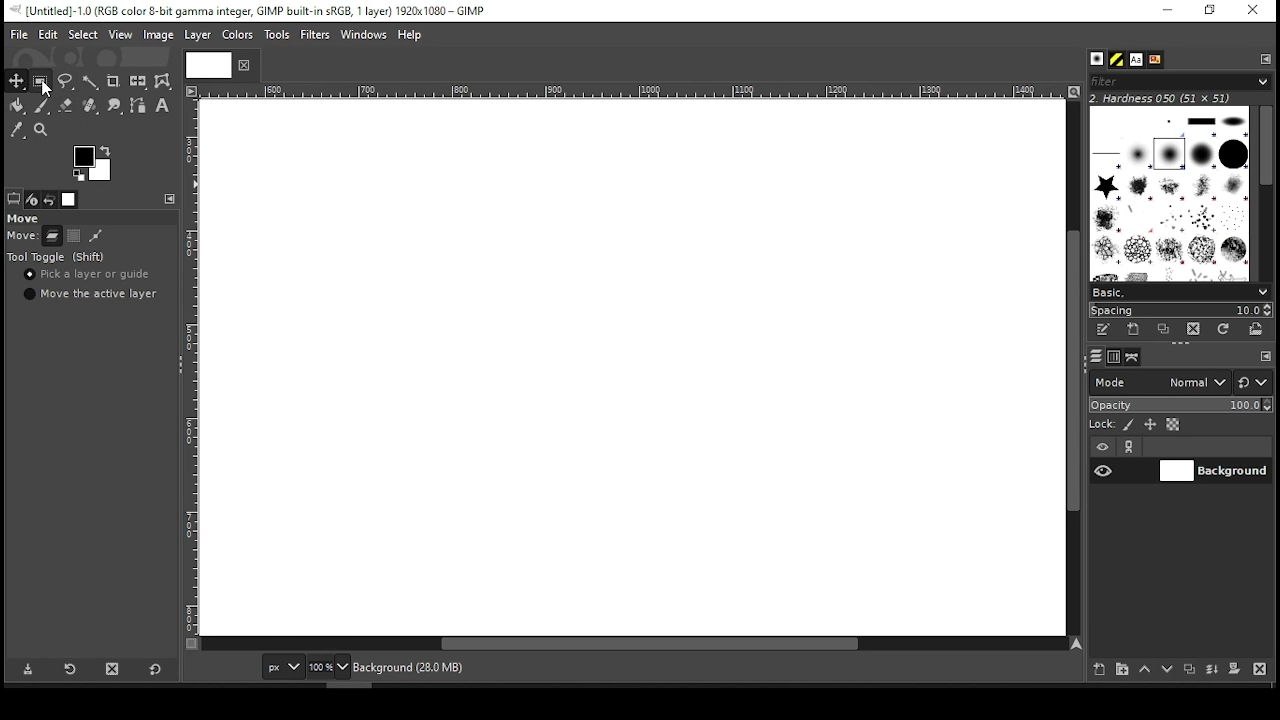 The image size is (1280, 720). What do you see at coordinates (22, 235) in the screenshot?
I see `move:` at bounding box center [22, 235].